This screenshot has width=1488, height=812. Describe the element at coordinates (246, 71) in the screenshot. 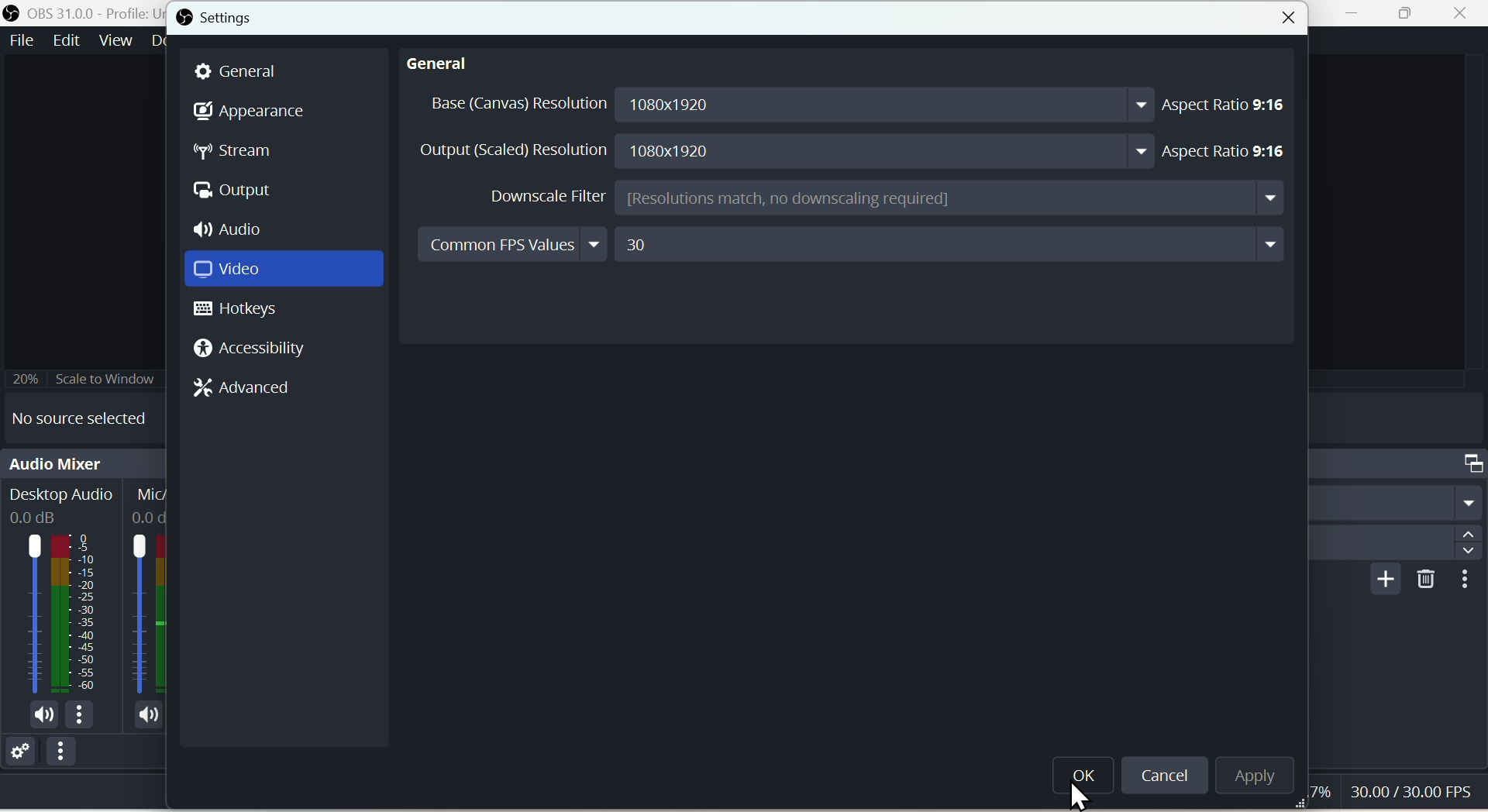

I see `General` at that location.